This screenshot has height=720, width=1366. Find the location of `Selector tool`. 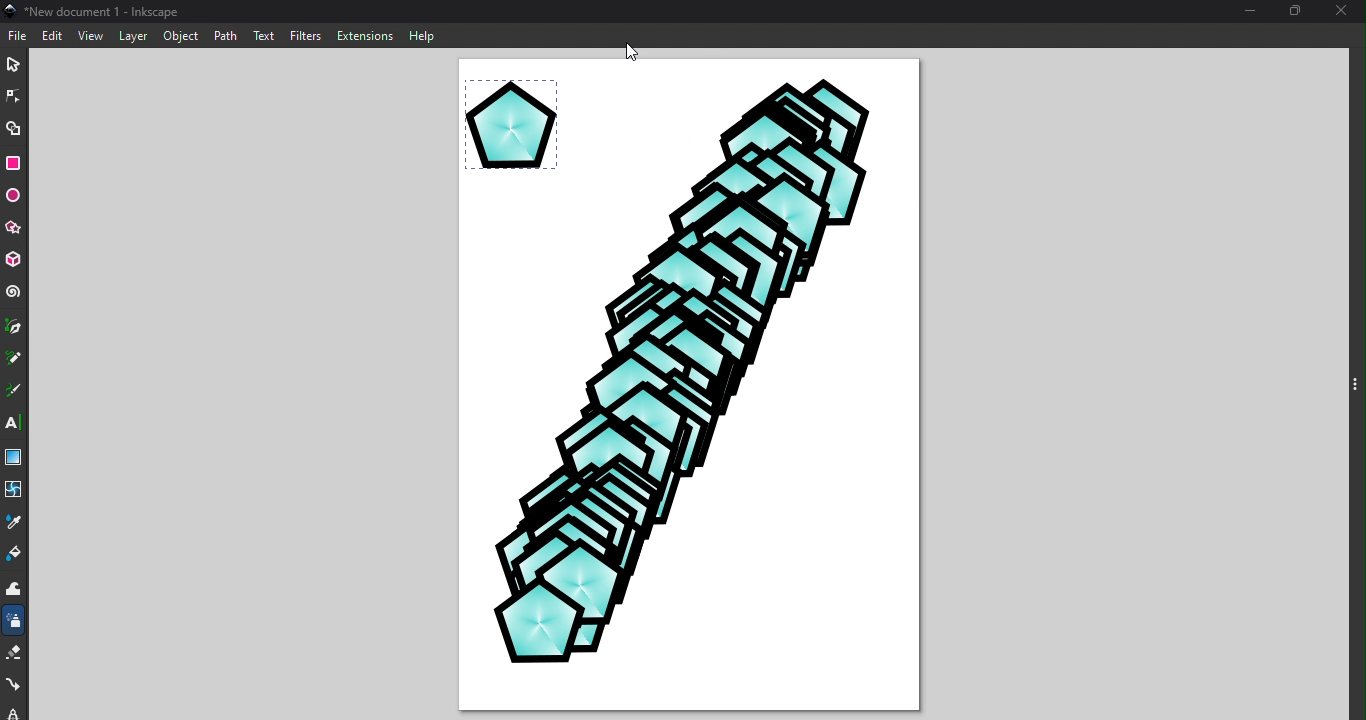

Selector tool is located at coordinates (13, 63).